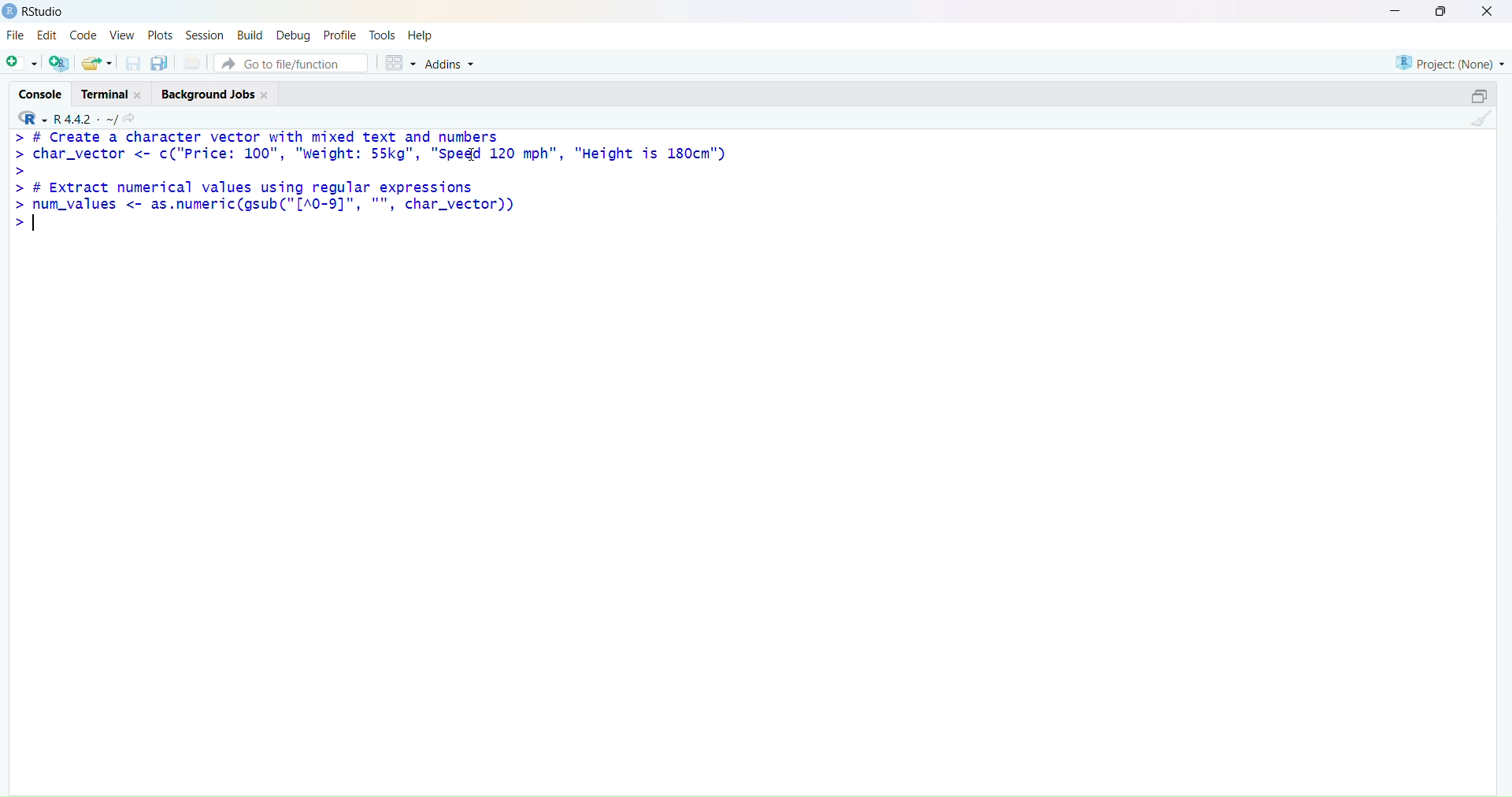 This screenshot has width=1512, height=797. What do you see at coordinates (252, 36) in the screenshot?
I see `build` at bounding box center [252, 36].